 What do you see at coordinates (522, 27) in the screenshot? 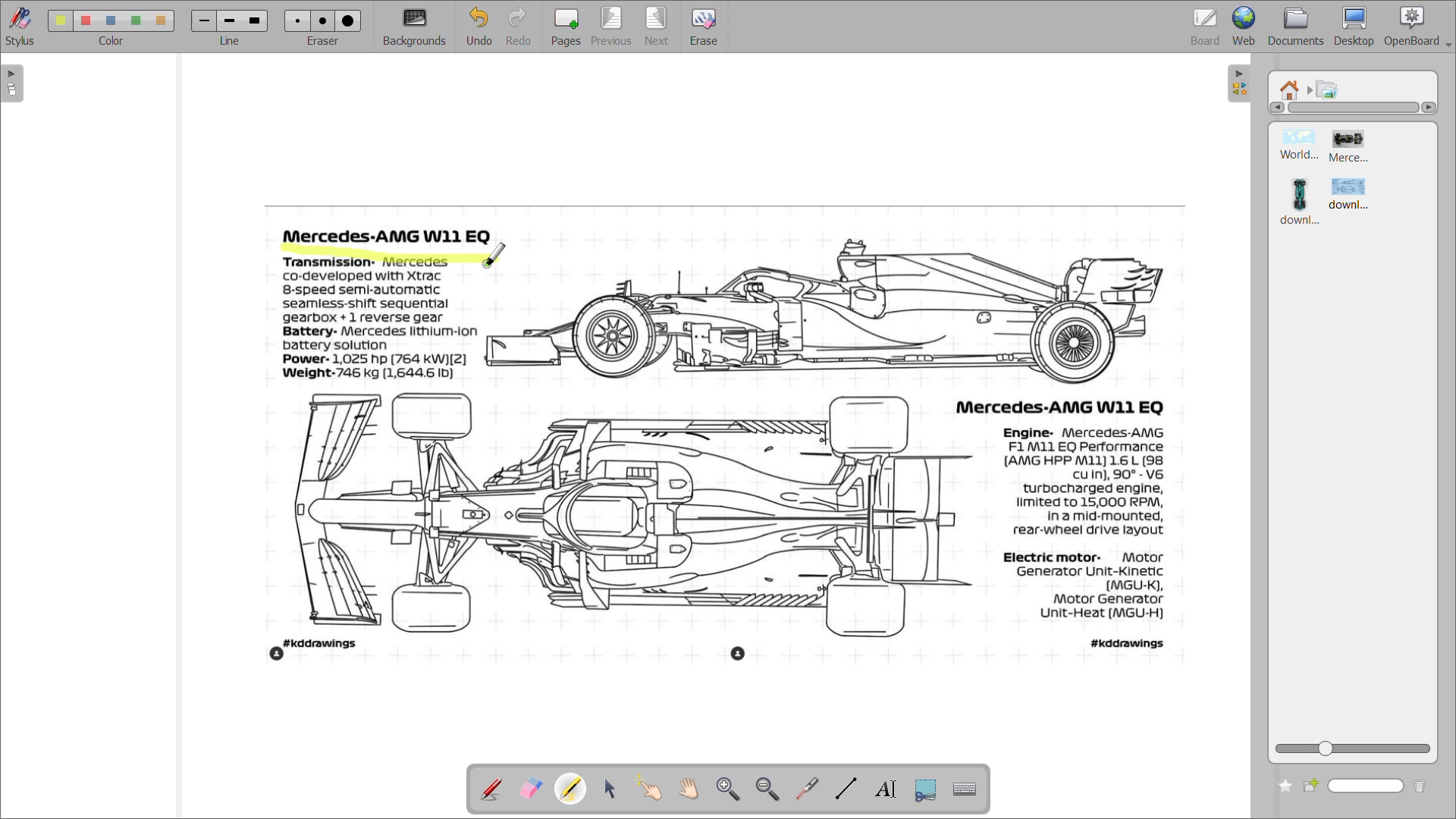
I see `redo` at bounding box center [522, 27].